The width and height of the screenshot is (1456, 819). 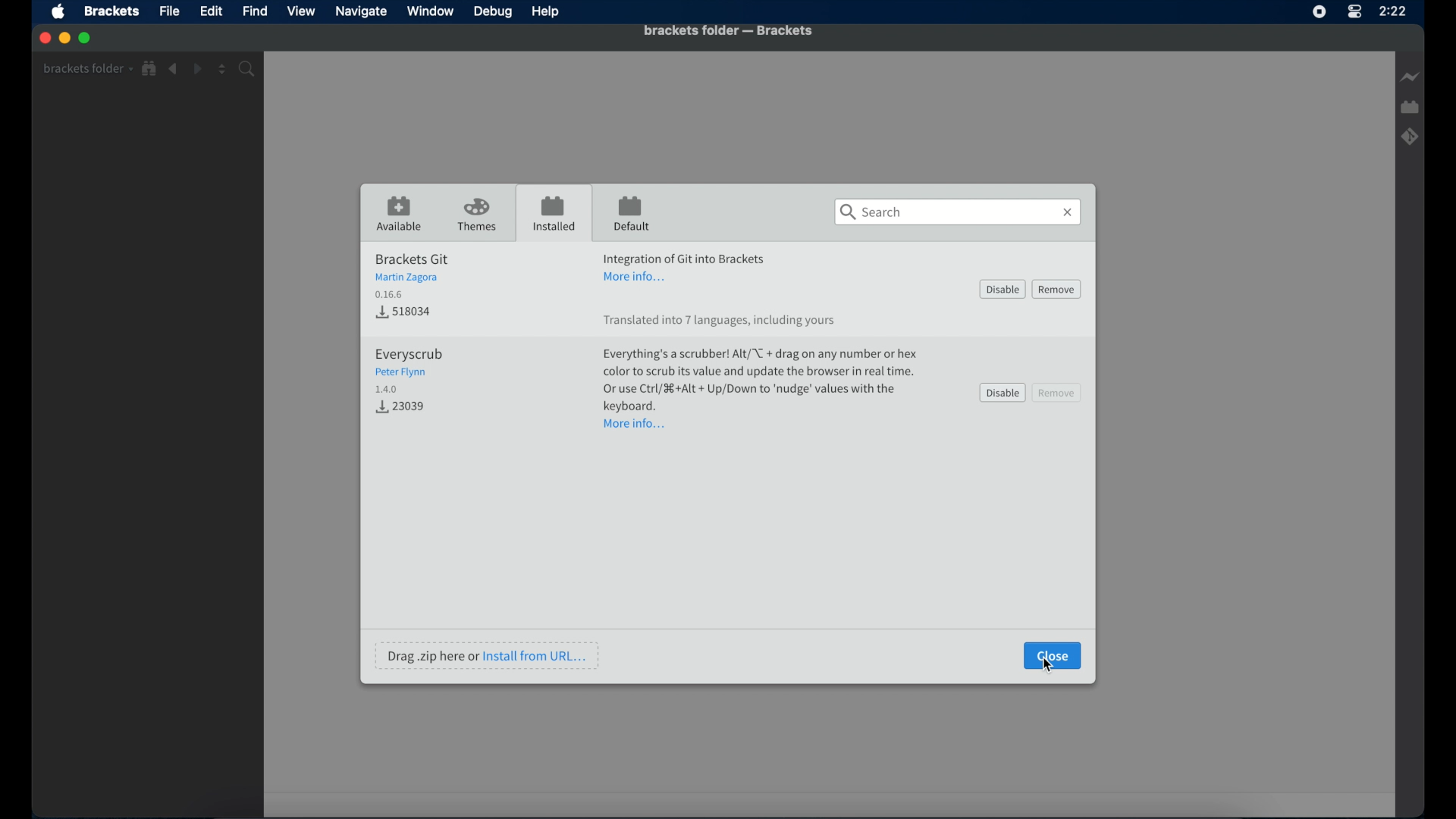 What do you see at coordinates (409, 370) in the screenshot?
I see `every scrub extension ` at bounding box center [409, 370].